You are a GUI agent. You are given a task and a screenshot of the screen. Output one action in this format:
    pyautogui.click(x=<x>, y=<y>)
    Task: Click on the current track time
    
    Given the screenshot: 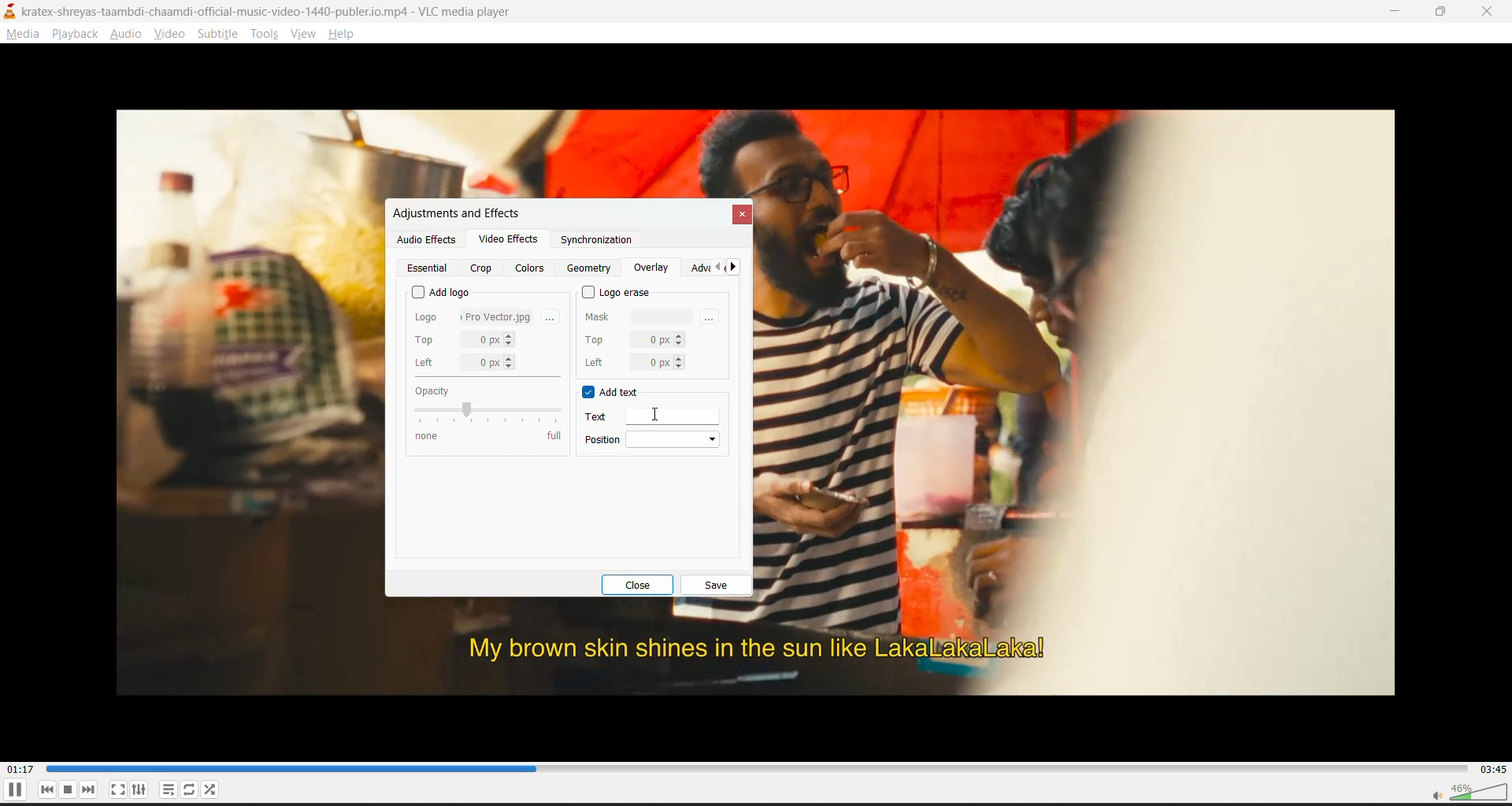 What is the action you would take?
    pyautogui.click(x=23, y=767)
    